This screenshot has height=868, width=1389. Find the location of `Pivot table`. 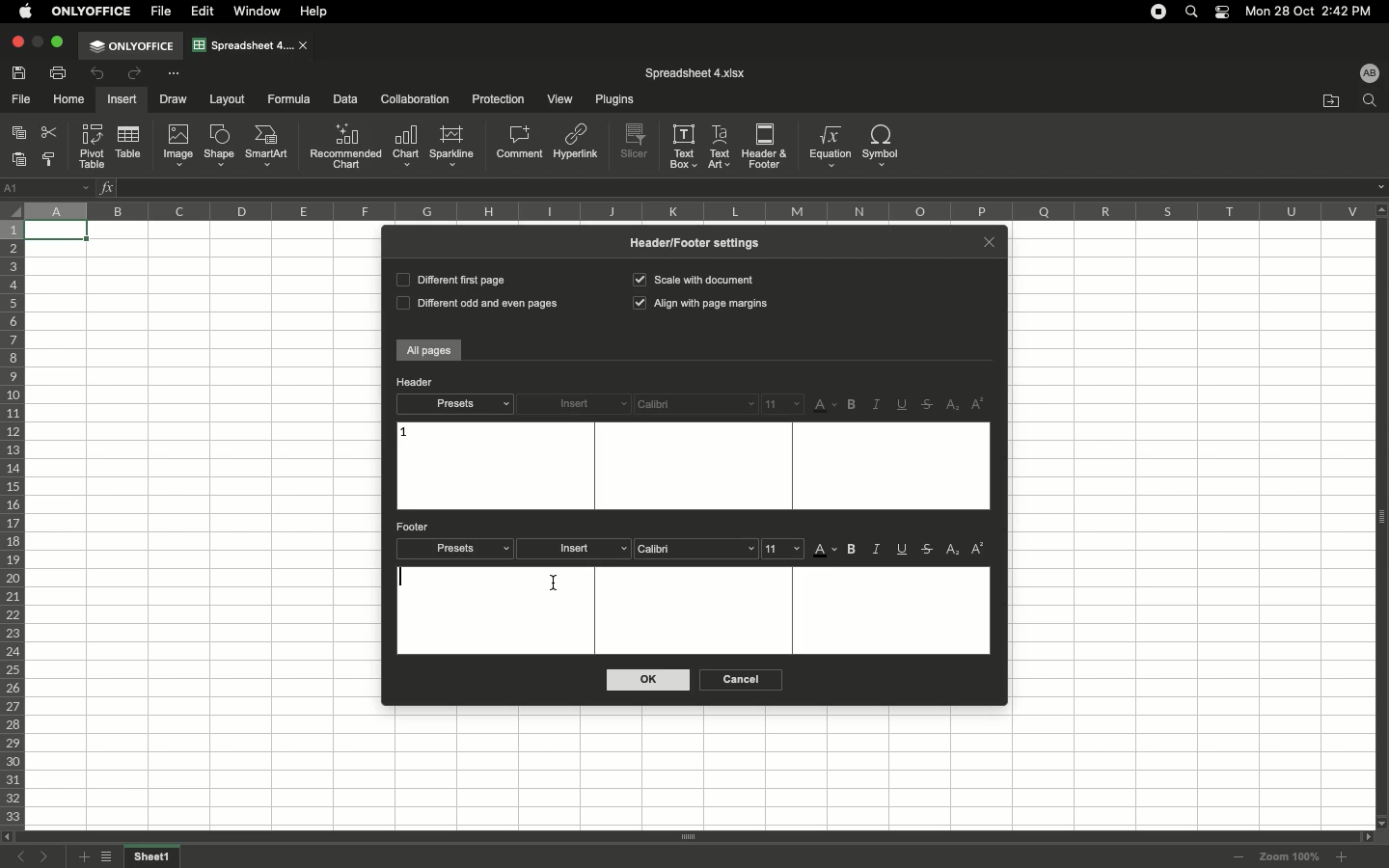

Pivot table is located at coordinates (94, 146).